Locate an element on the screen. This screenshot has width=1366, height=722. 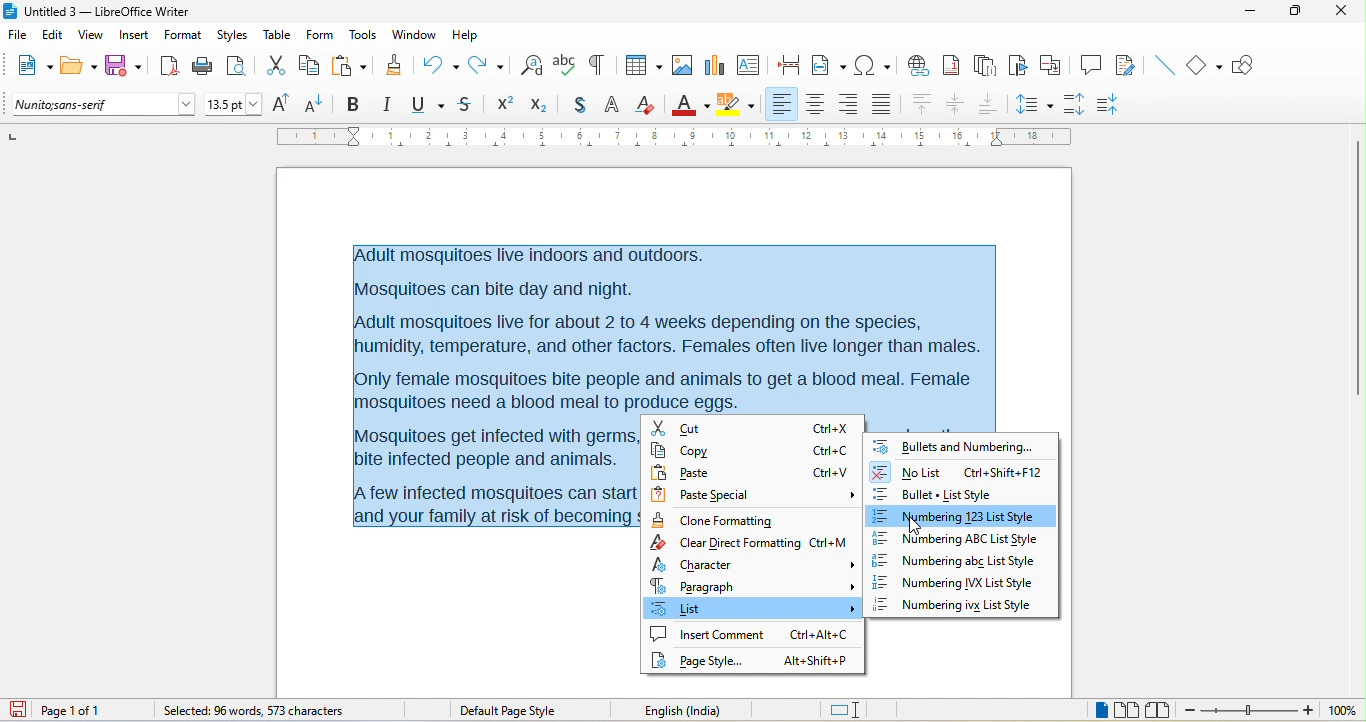
hyperlink is located at coordinates (921, 64).